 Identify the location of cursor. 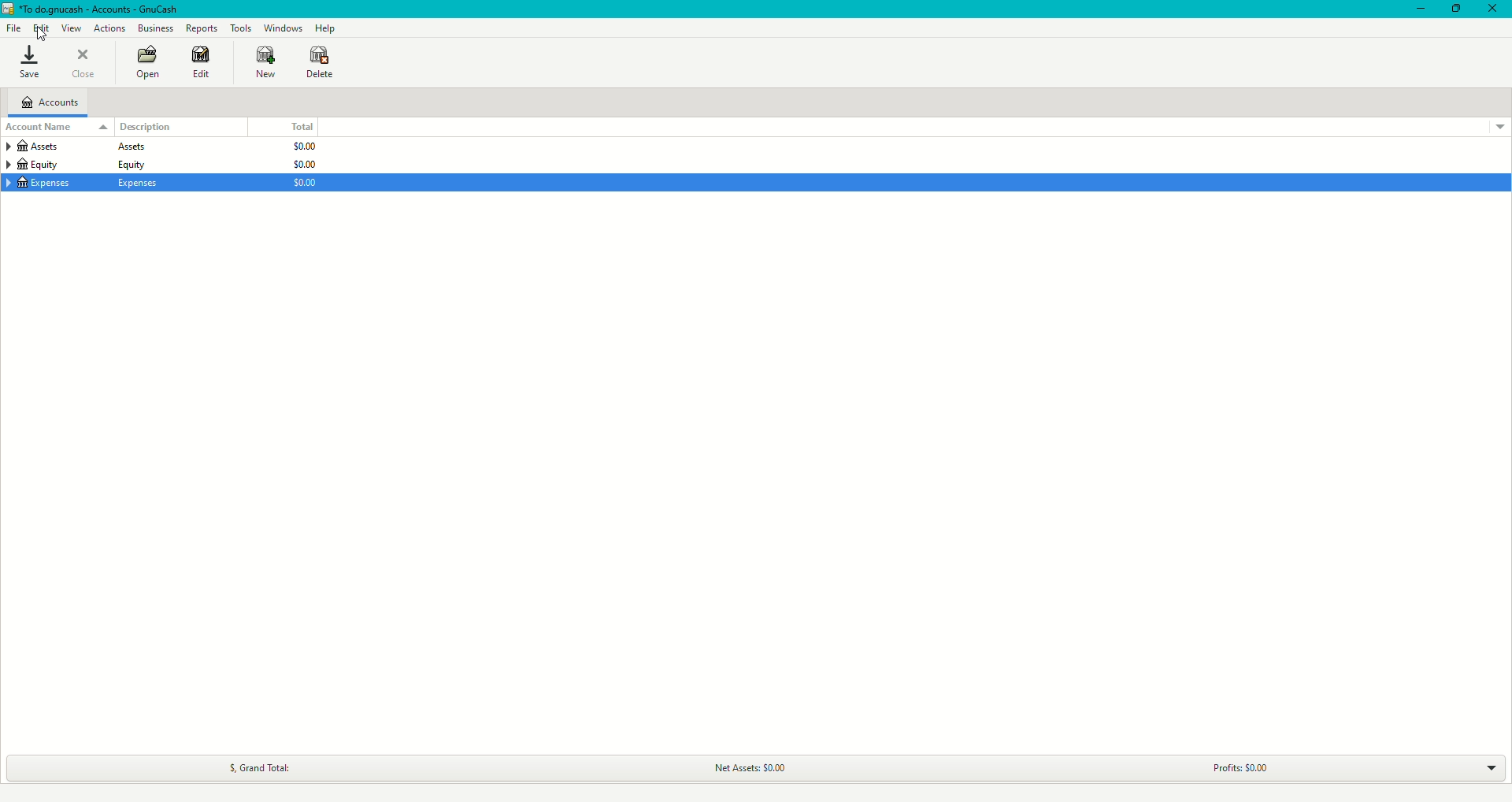
(43, 37).